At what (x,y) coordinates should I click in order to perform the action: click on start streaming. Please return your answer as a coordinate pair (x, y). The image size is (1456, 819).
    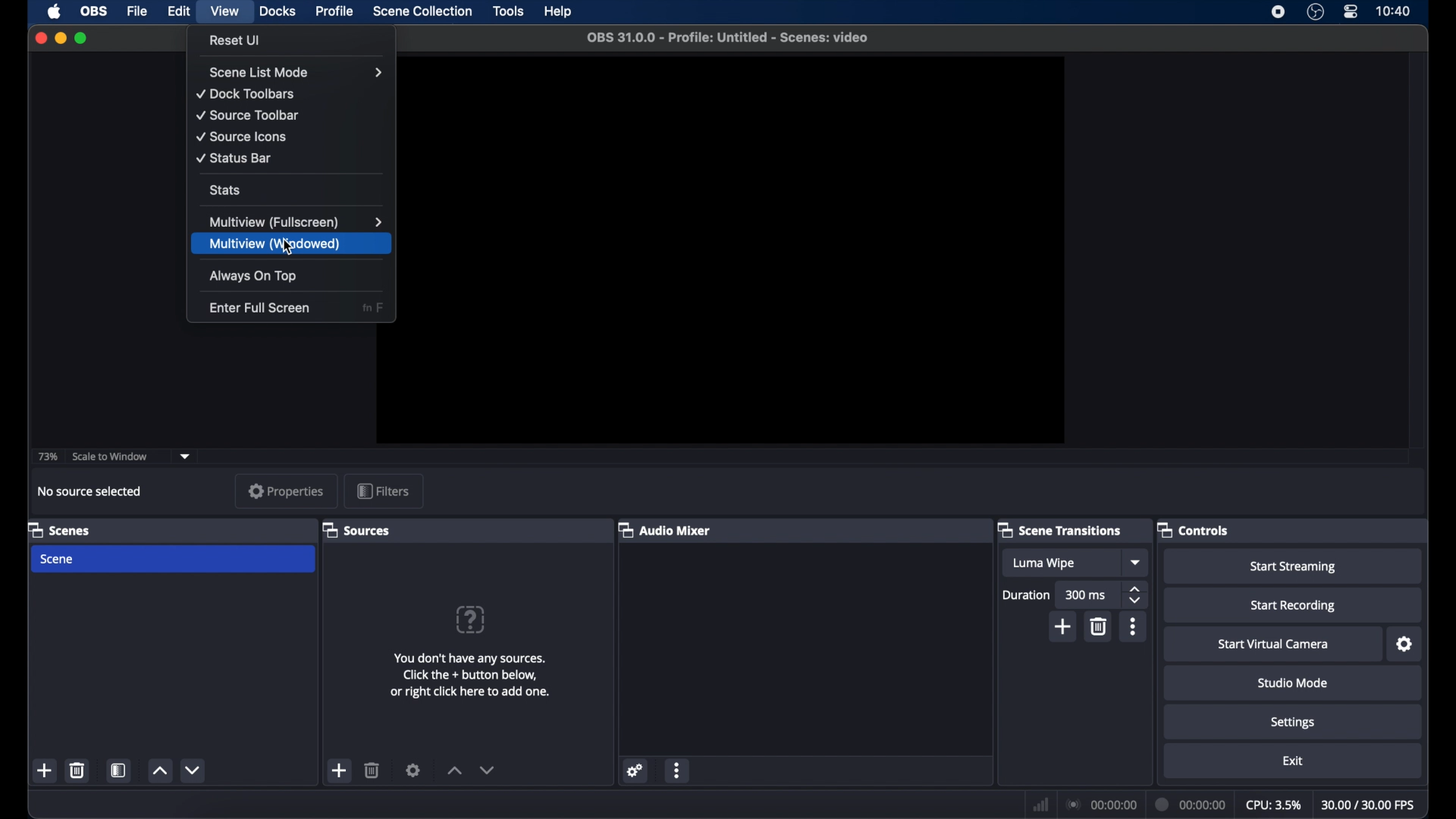
    Looking at the image, I should click on (1293, 565).